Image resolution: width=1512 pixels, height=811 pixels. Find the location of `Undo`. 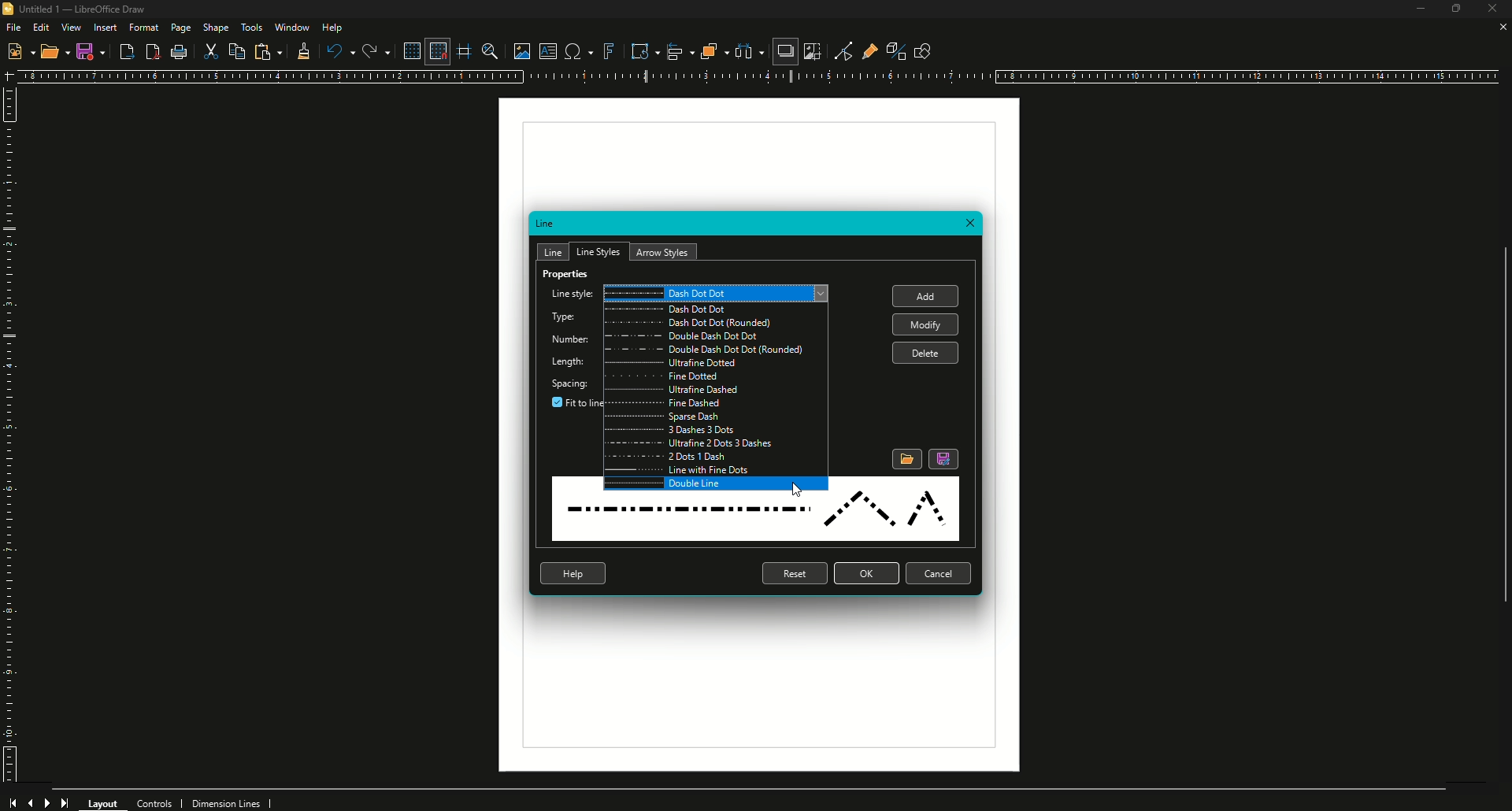

Undo is located at coordinates (339, 51).